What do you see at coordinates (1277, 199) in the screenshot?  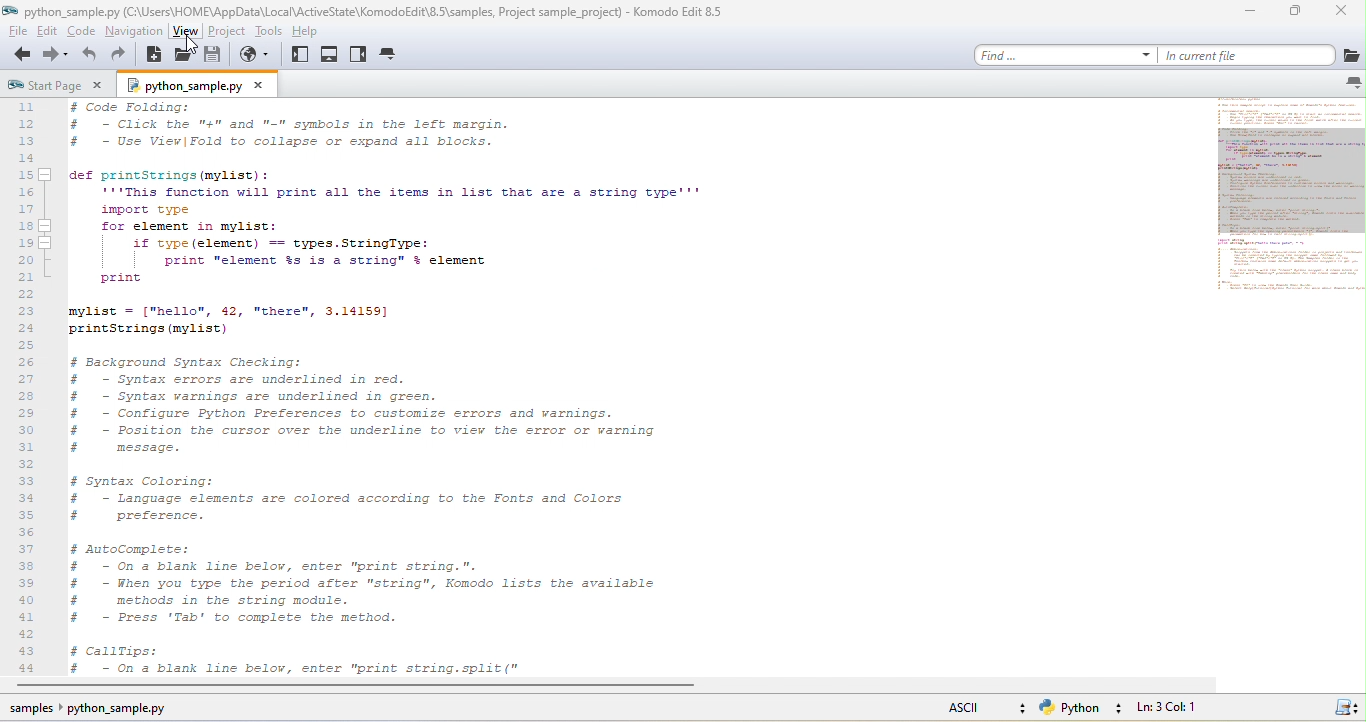 I see `mini map` at bounding box center [1277, 199].